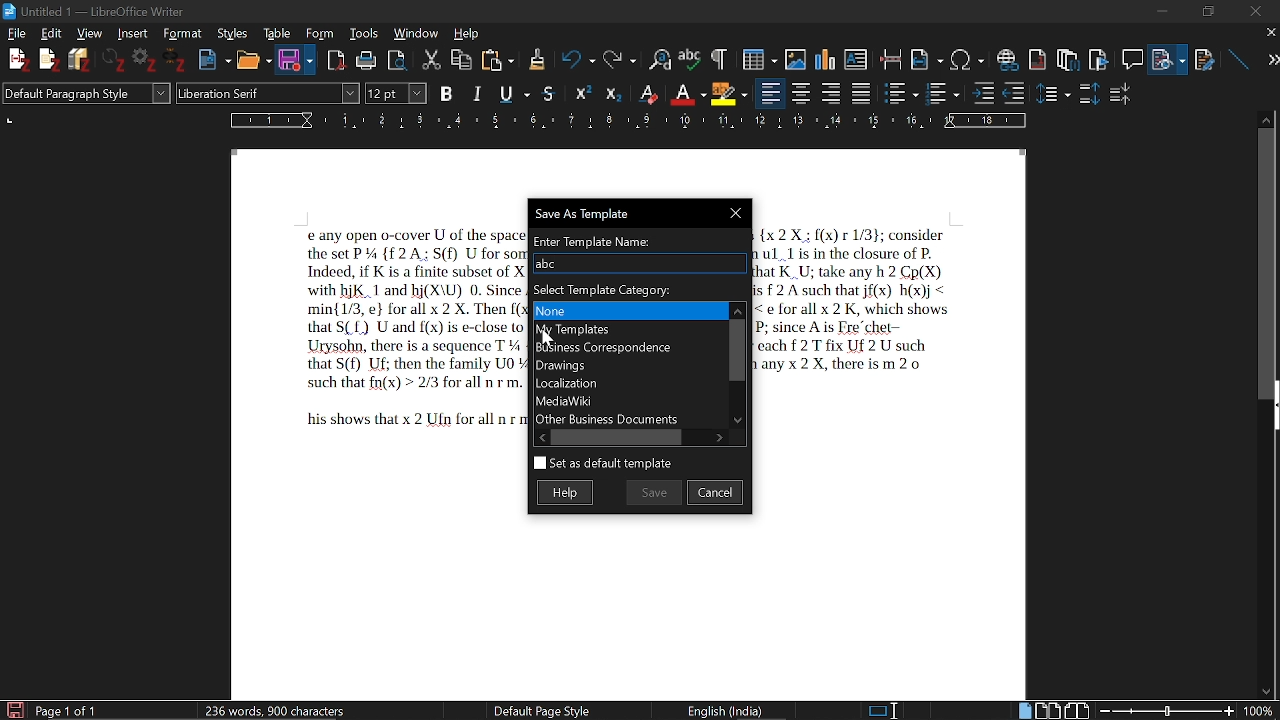  Describe the element at coordinates (82, 60) in the screenshot. I see `Save Files` at that location.